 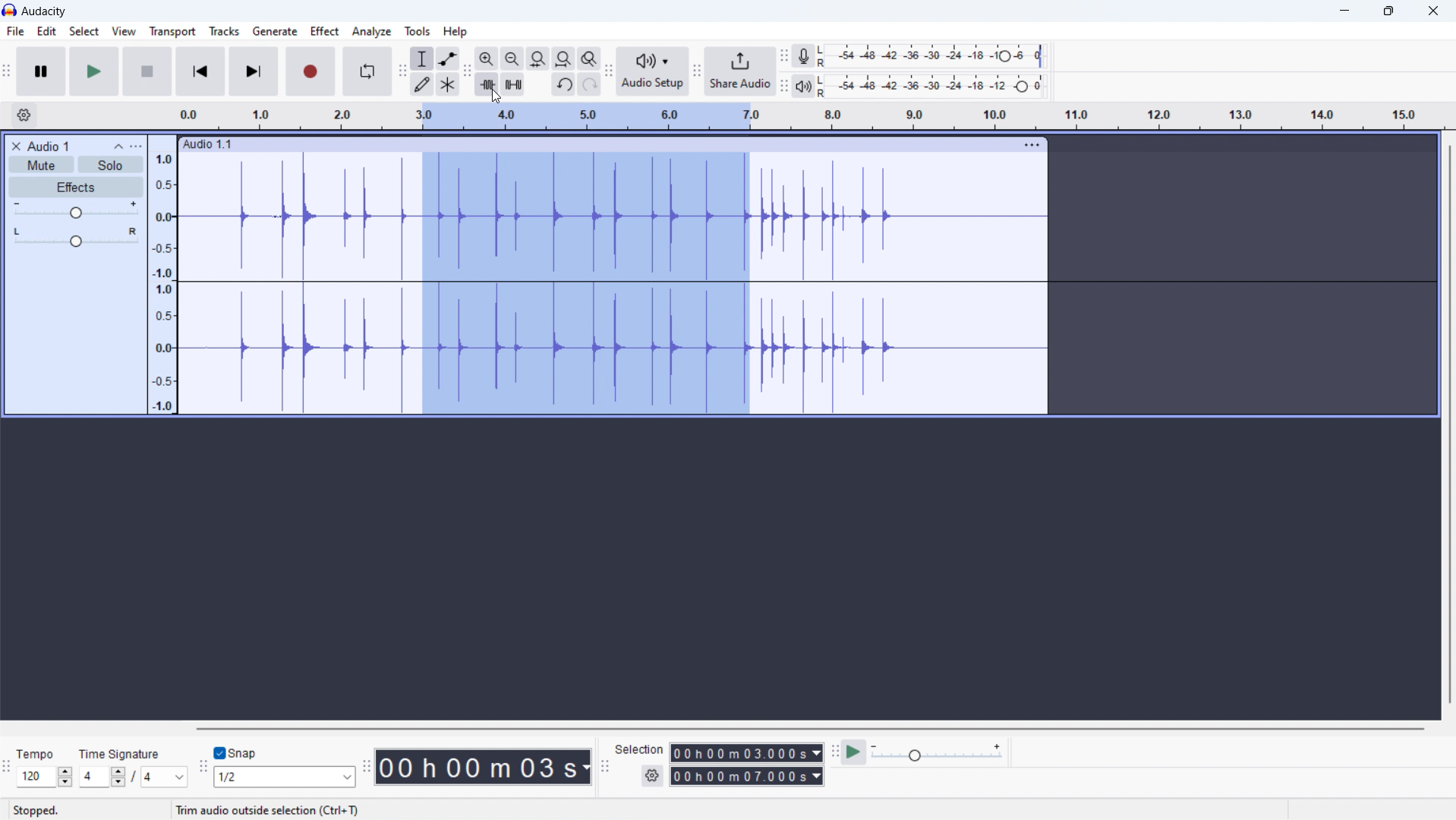 I want to click on time toolbar, so click(x=367, y=768).